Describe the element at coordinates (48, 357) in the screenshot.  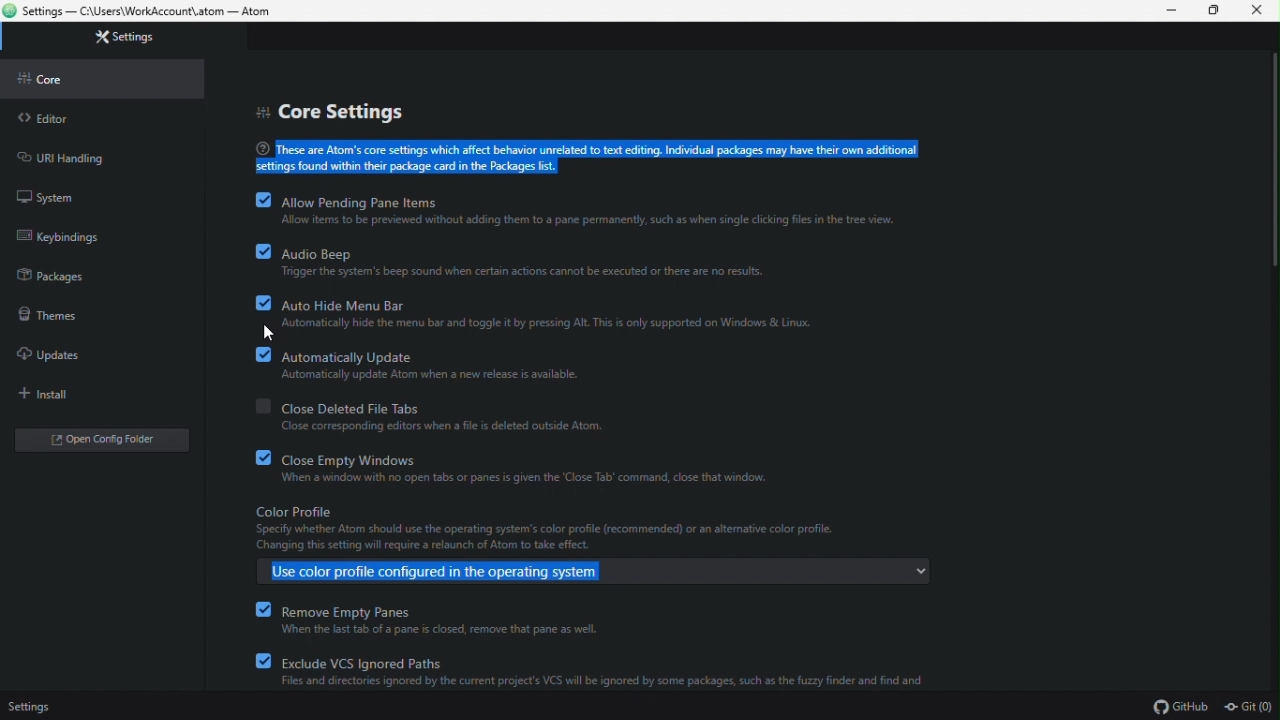
I see `updates` at that location.